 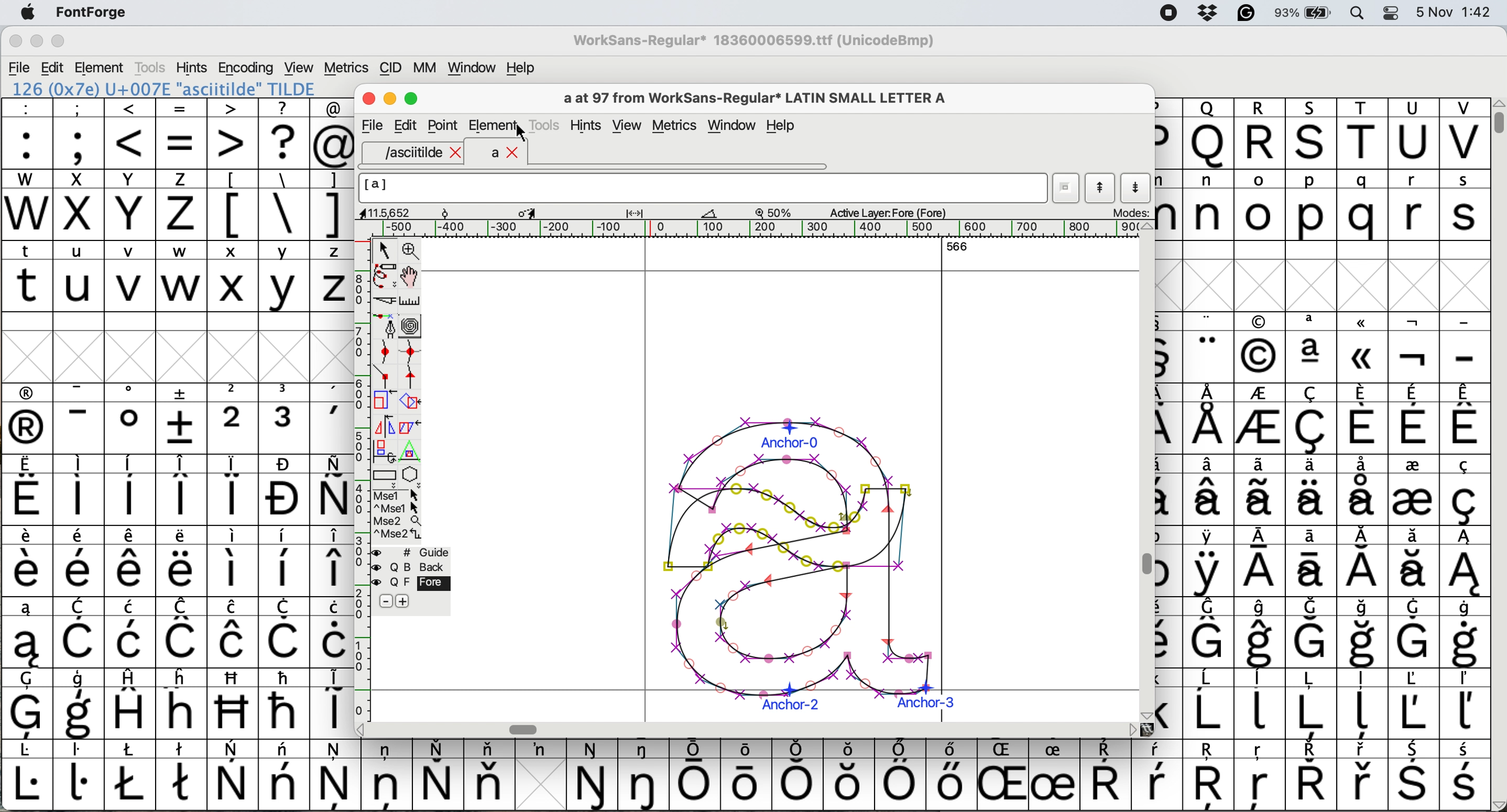 What do you see at coordinates (1147, 227) in the screenshot?
I see `scroll button` at bounding box center [1147, 227].